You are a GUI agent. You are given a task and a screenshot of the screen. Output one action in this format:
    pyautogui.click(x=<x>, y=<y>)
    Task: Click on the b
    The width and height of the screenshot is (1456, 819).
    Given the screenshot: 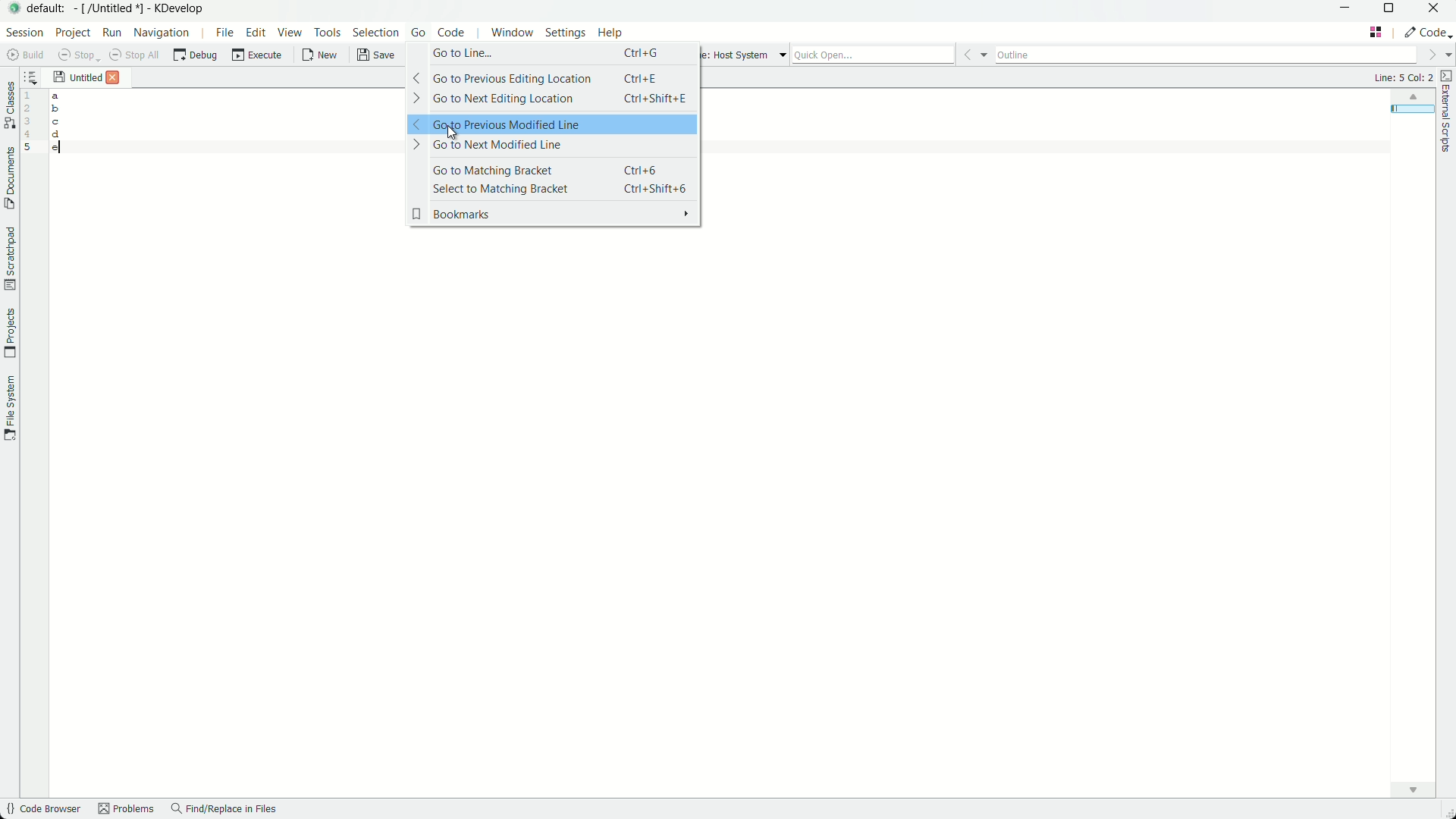 What is the action you would take?
    pyautogui.click(x=56, y=108)
    